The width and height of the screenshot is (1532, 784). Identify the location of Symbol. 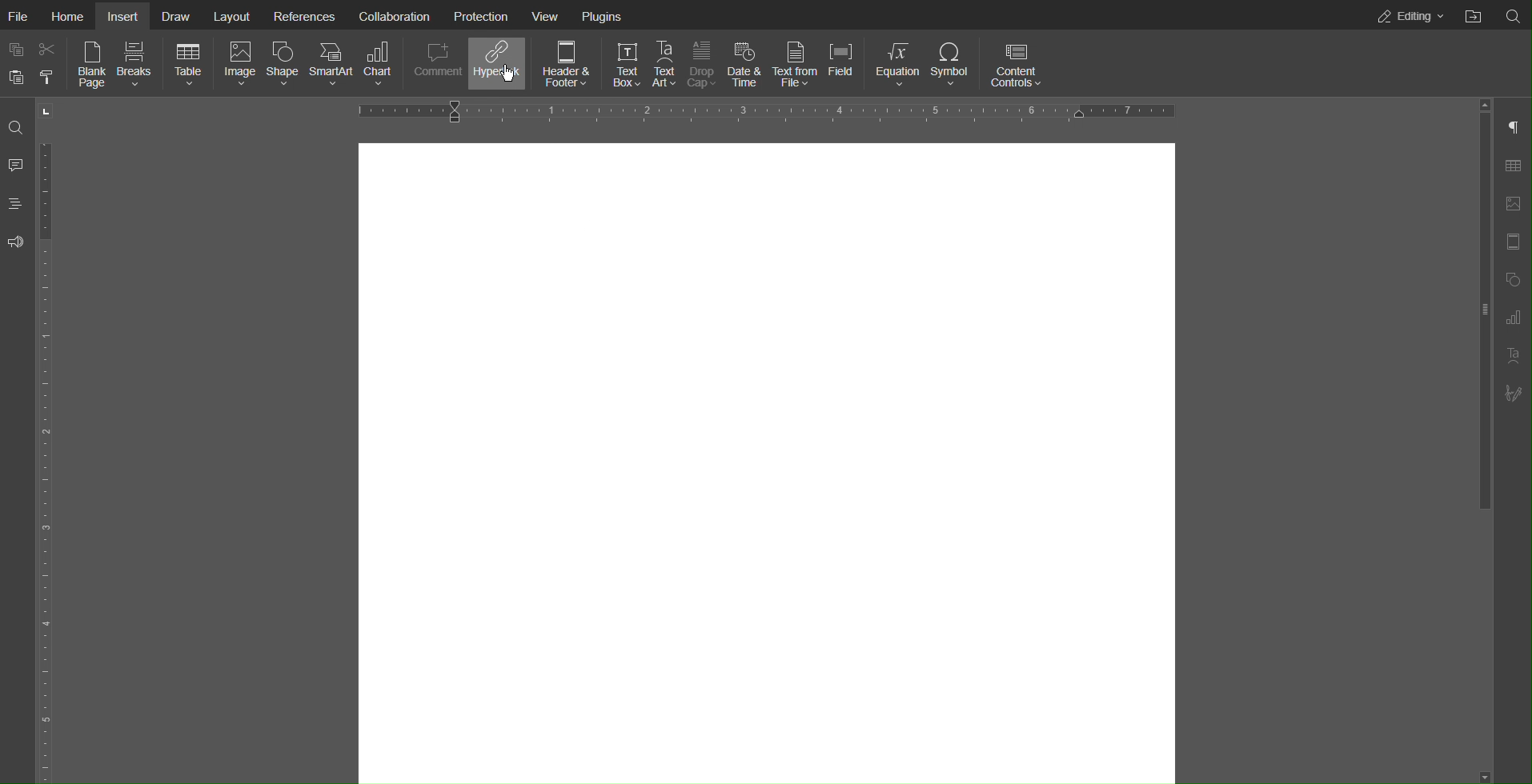
(952, 64).